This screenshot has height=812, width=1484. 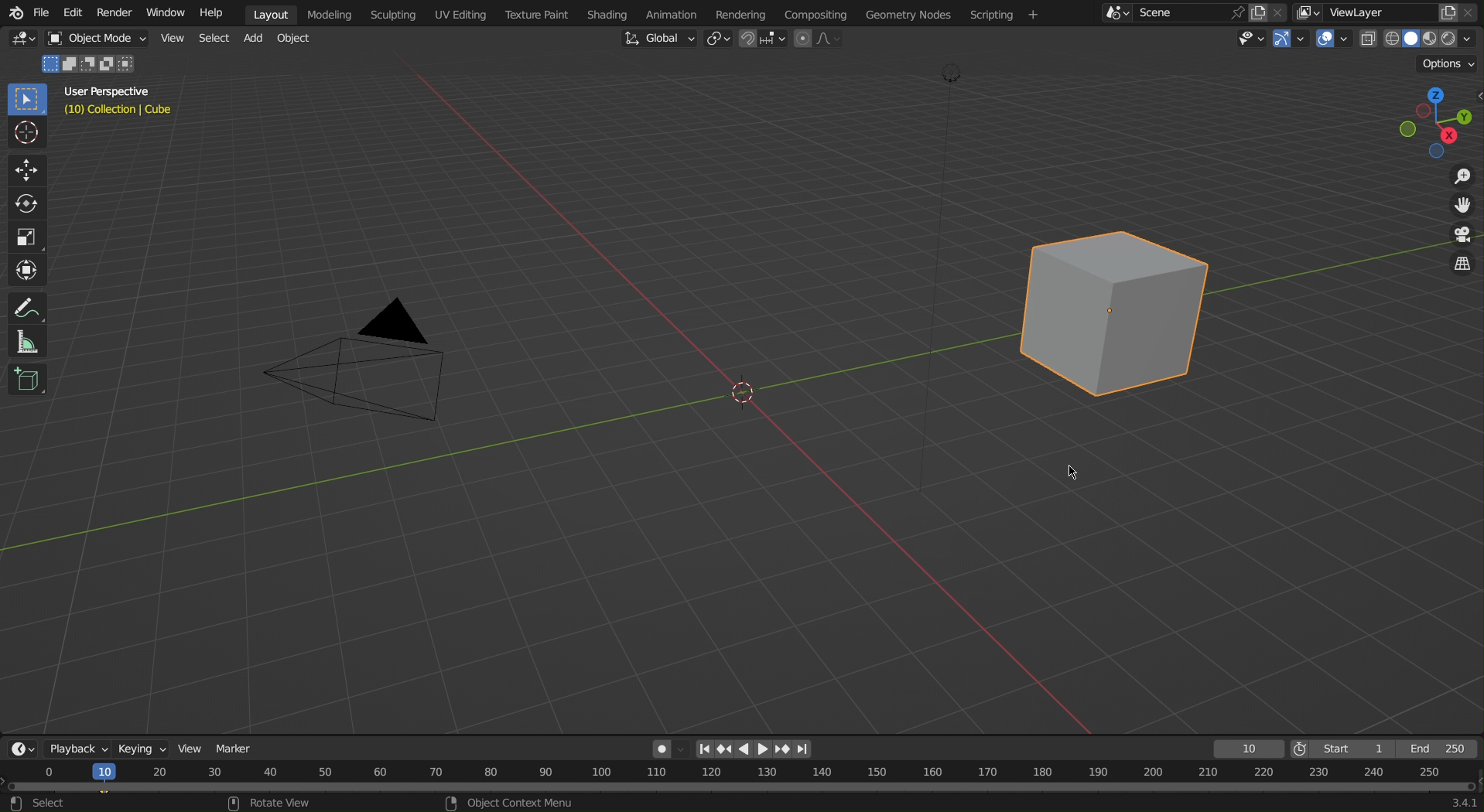 What do you see at coordinates (91, 65) in the screenshot?
I see `Mode` at bounding box center [91, 65].